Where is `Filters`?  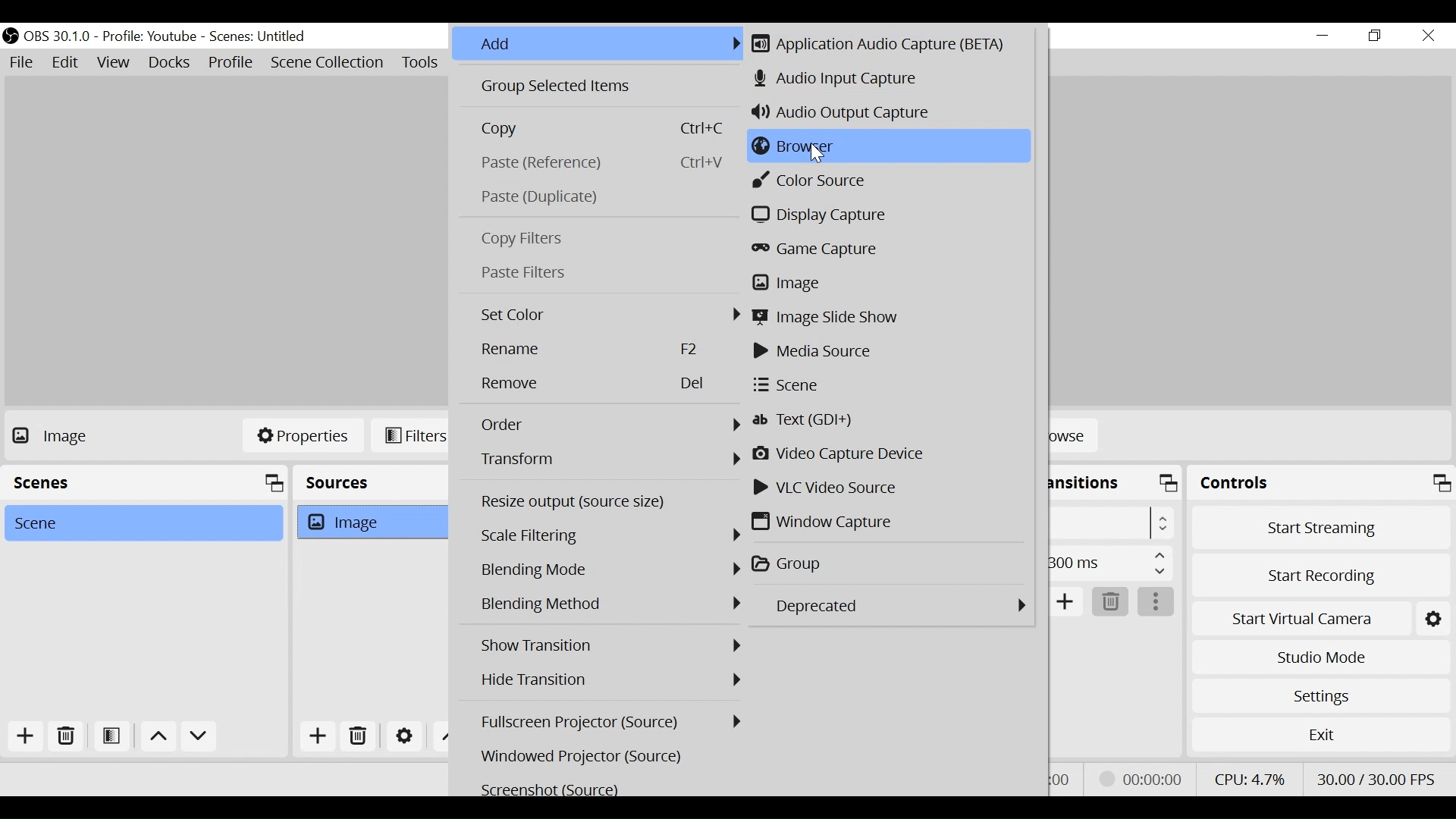 Filters is located at coordinates (416, 432).